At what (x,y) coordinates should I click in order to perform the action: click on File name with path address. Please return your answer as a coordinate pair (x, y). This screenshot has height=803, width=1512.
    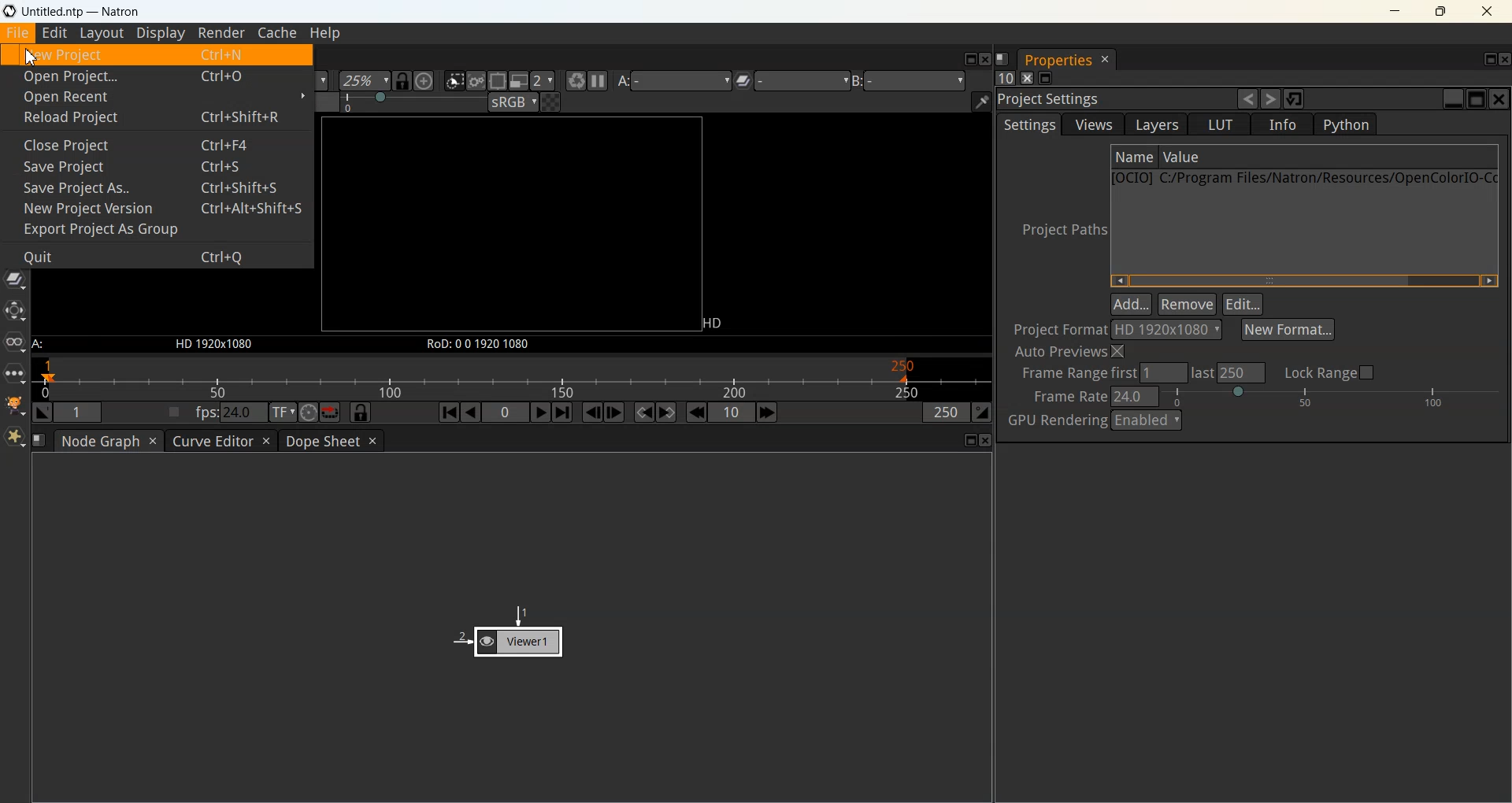
    Looking at the image, I should click on (1304, 177).